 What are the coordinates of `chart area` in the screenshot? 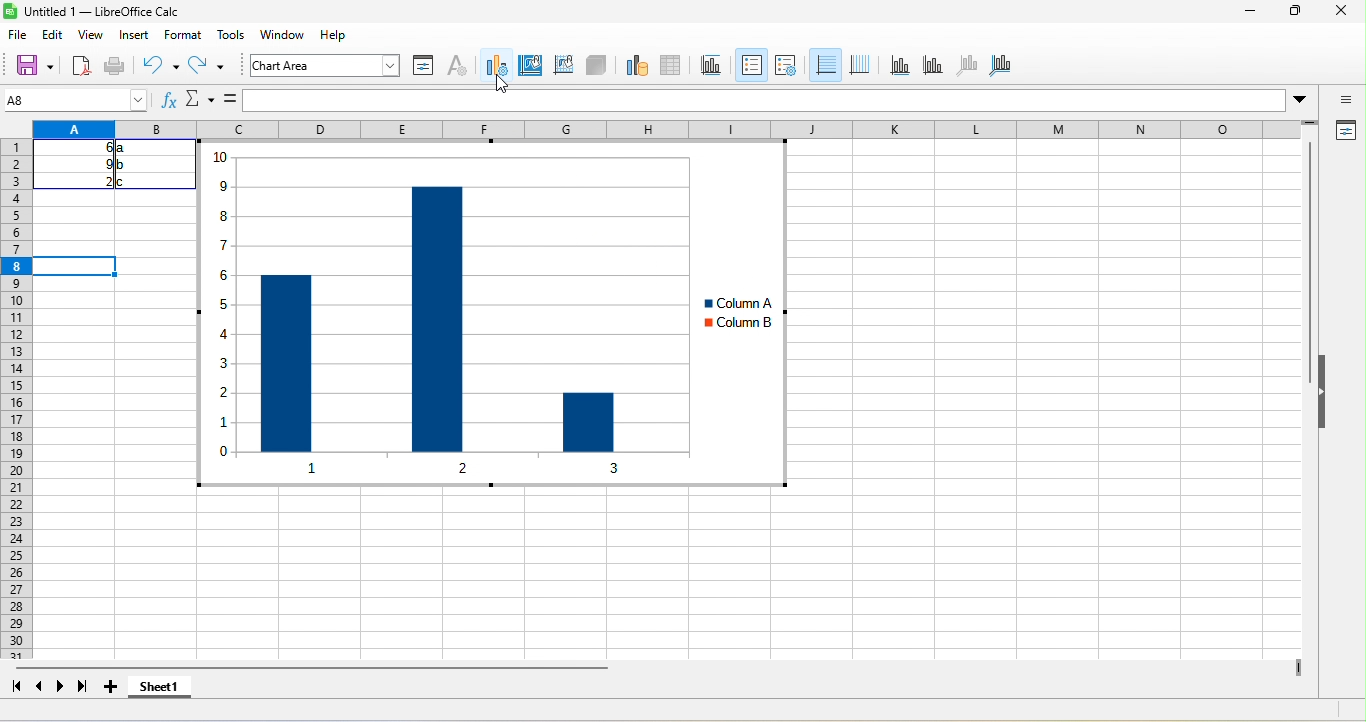 It's located at (532, 65).